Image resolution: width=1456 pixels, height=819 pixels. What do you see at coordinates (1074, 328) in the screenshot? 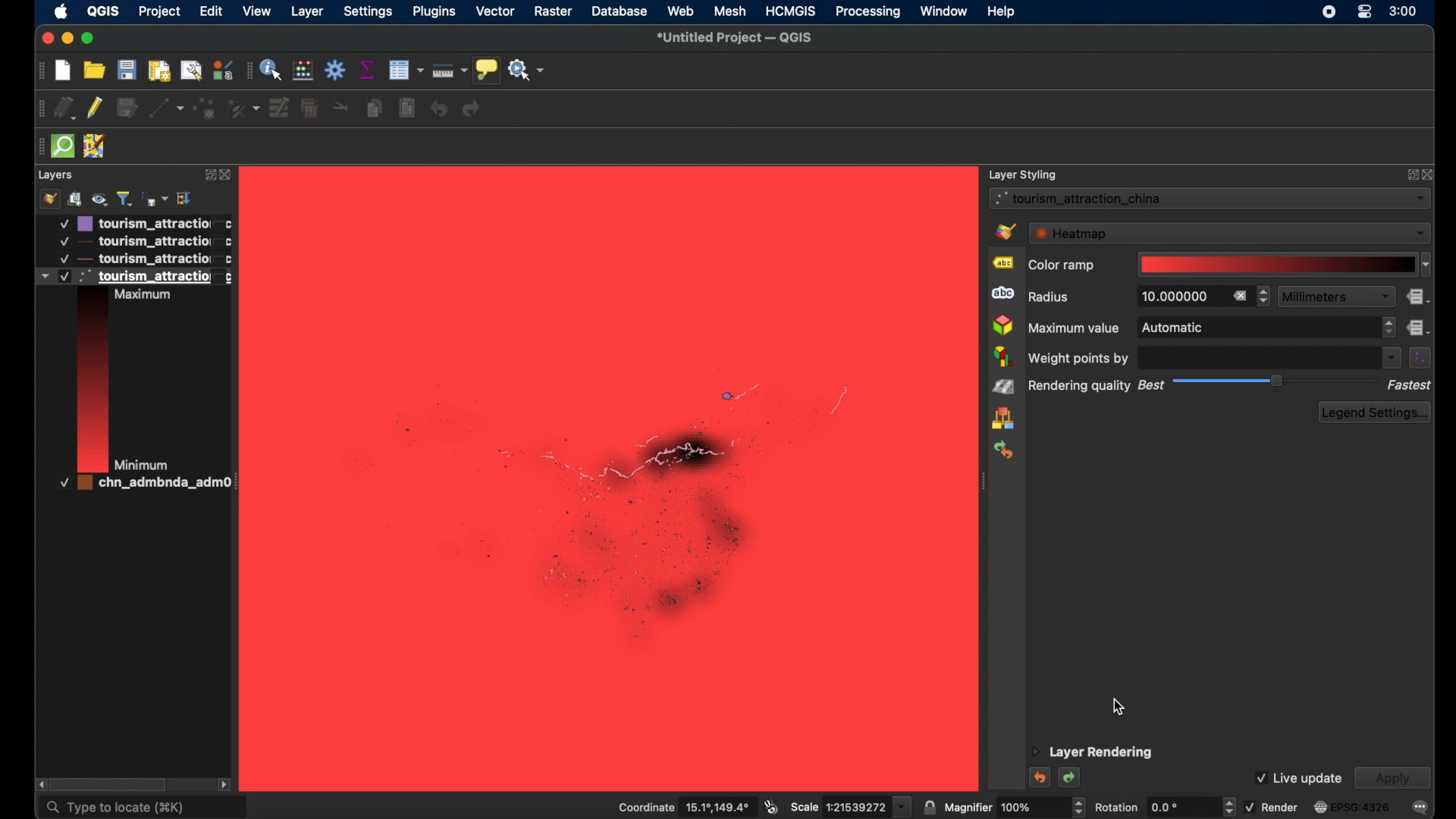
I see `maximum value` at bounding box center [1074, 328].